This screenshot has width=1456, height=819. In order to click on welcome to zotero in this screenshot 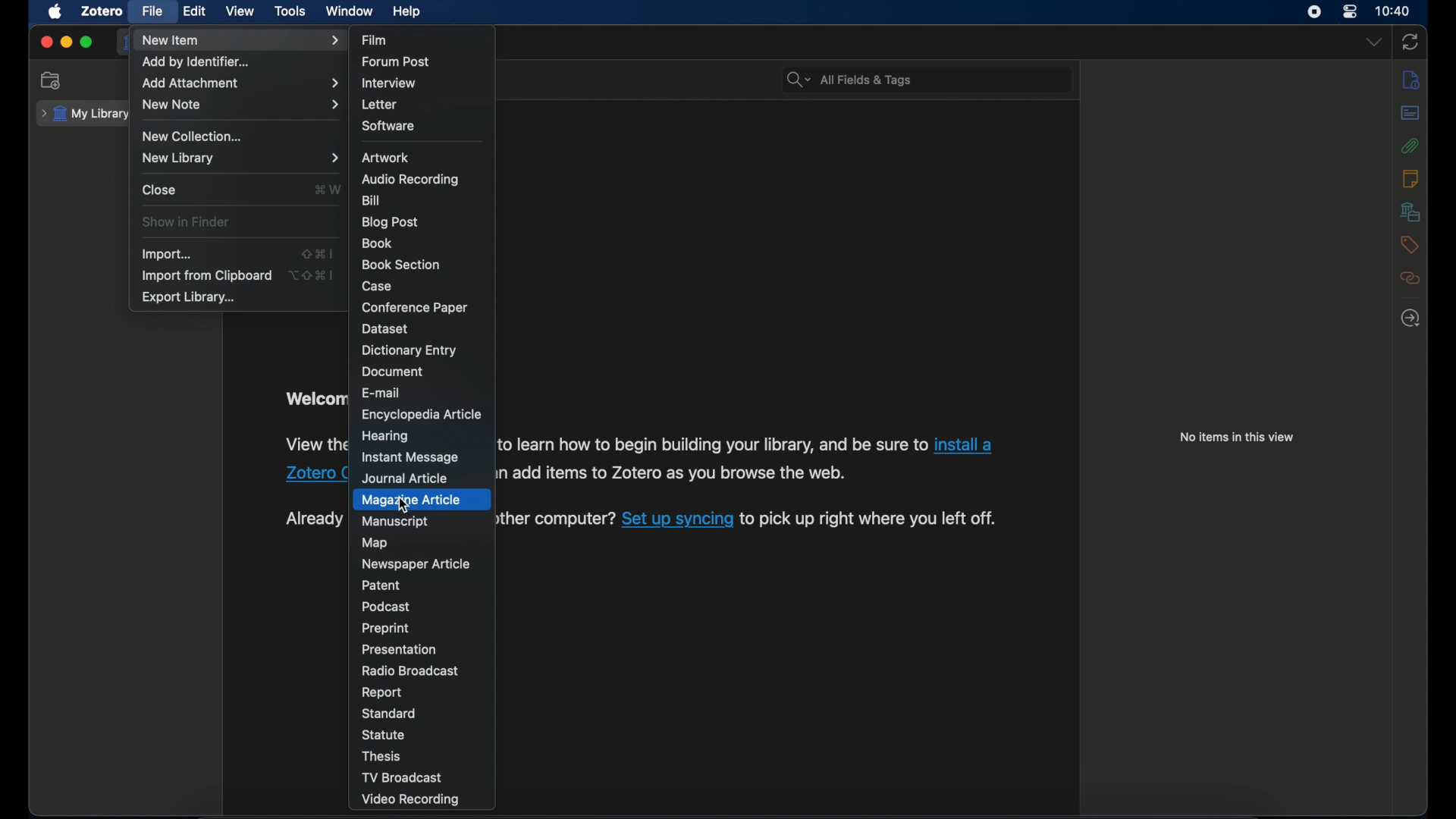, I will do `click(313, 400)`.